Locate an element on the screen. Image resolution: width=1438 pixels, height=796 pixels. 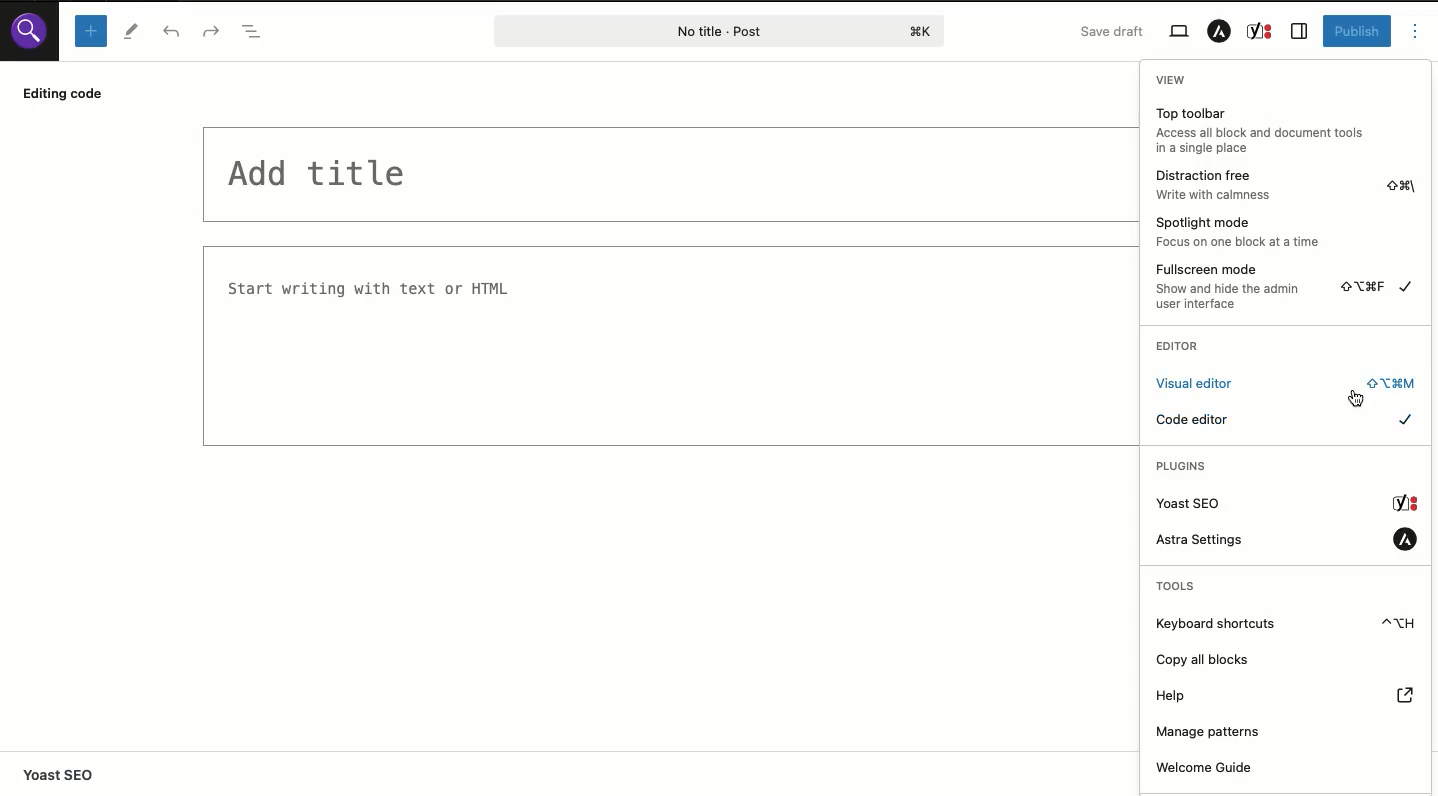
Editing code is located at coordinates (66, 98).